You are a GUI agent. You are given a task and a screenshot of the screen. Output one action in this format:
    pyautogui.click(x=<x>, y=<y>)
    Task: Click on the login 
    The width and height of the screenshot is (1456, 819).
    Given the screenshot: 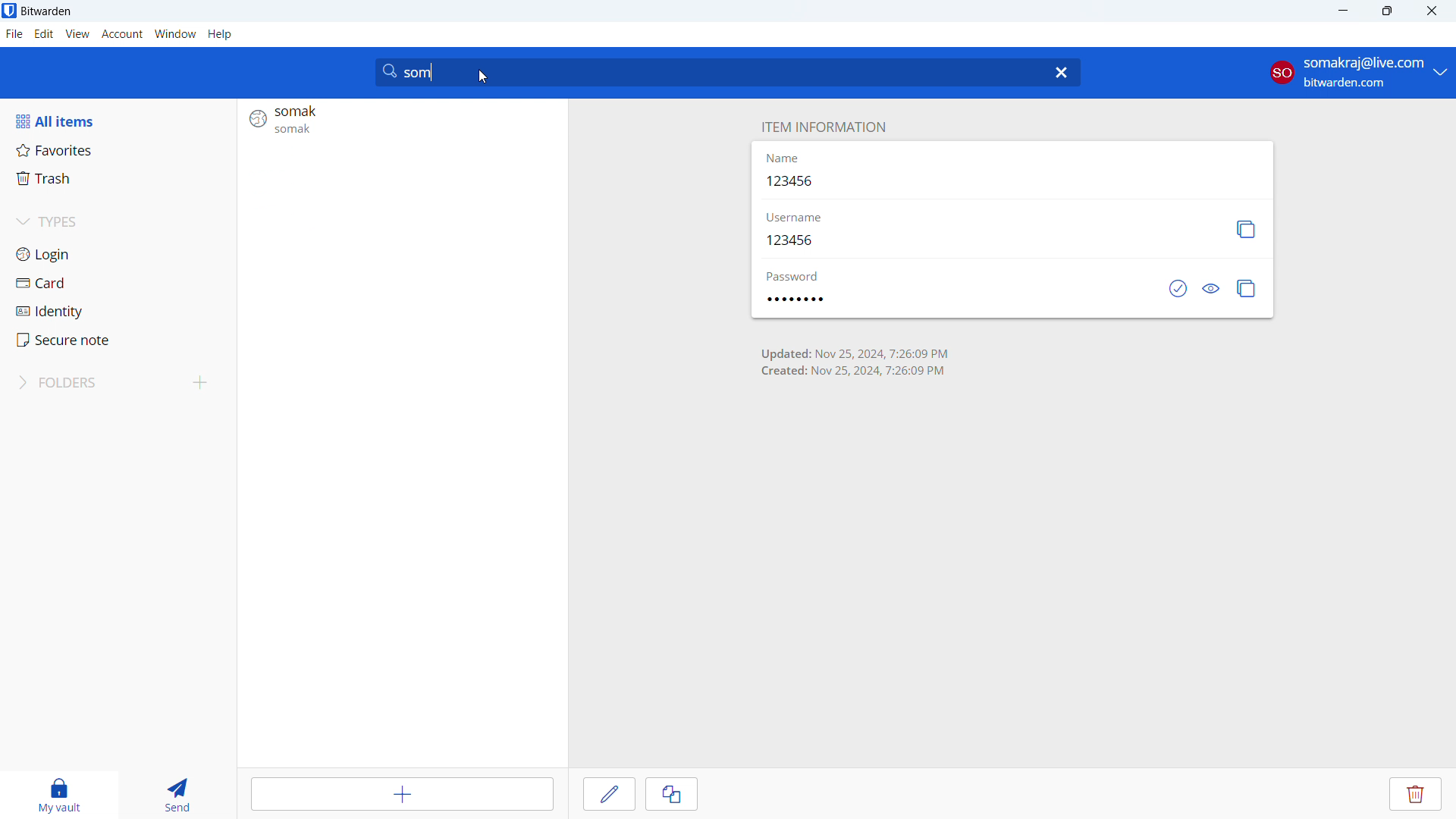 What is the action you would take?
    pyautogui.click(x=118, y=254)
    